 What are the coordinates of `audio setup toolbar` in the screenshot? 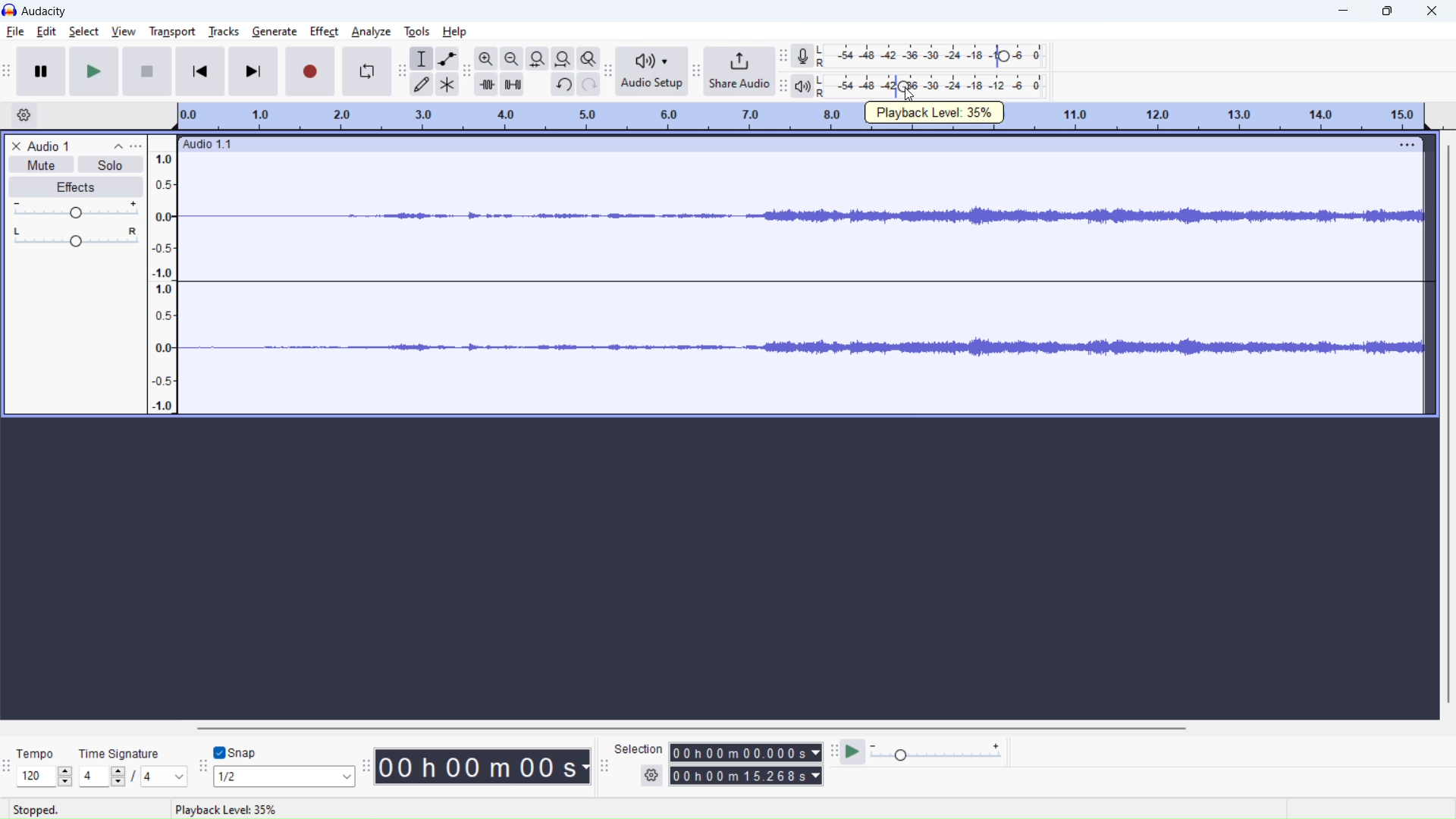 It's located at (608, 71).